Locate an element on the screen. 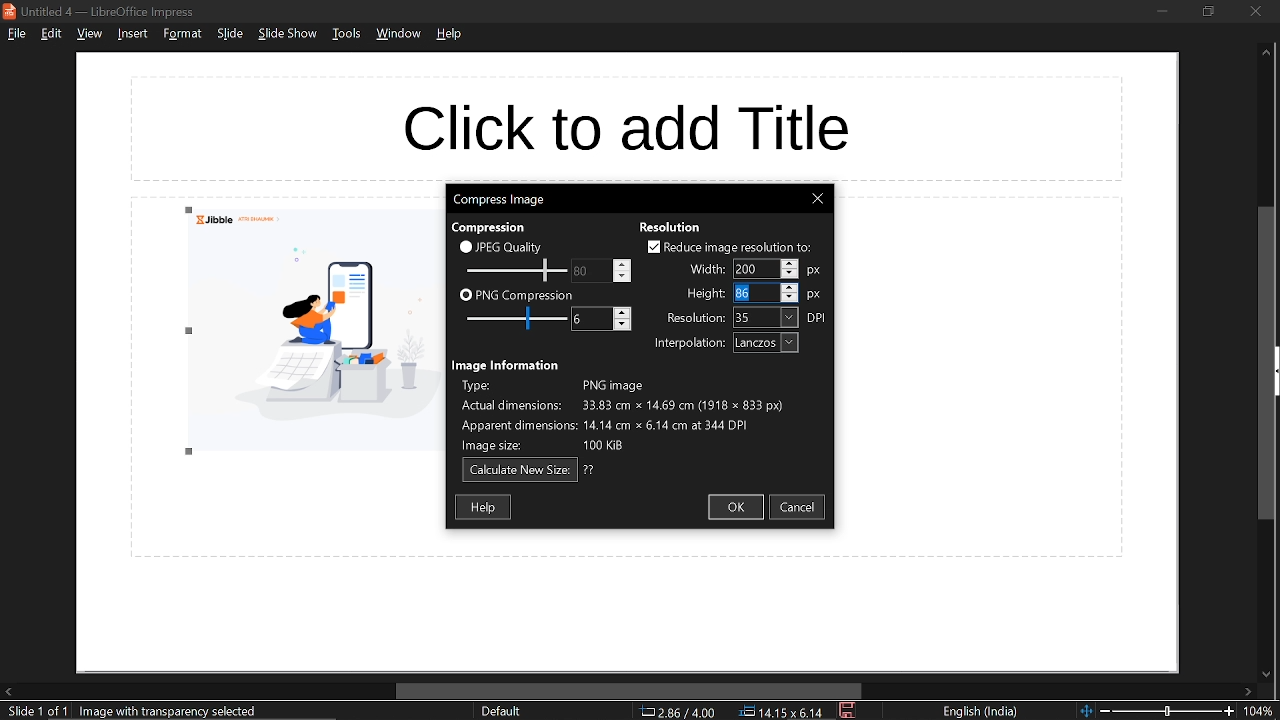  tools is located at coordinates (346, 33).